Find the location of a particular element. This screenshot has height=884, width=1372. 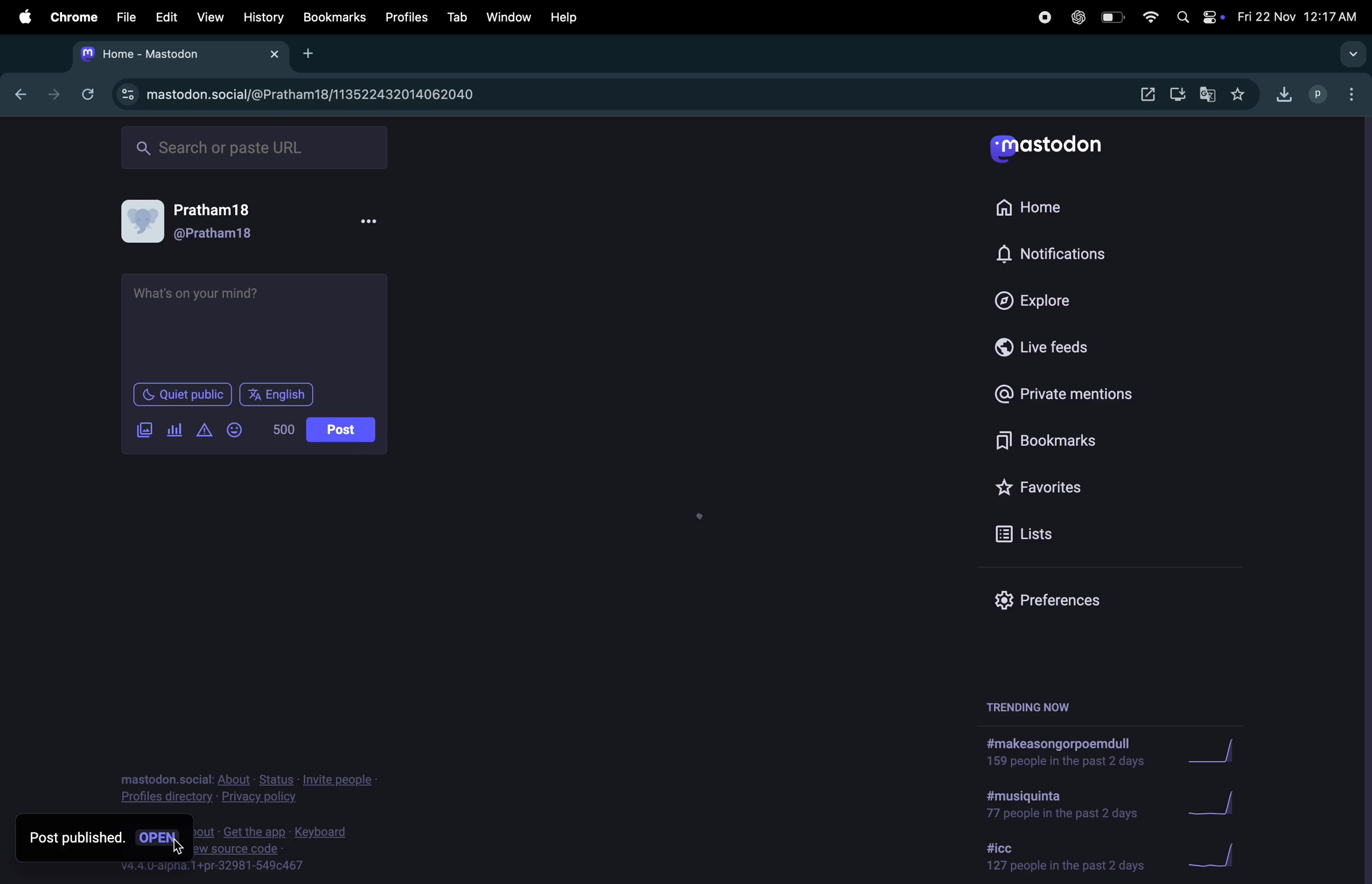

home is located at coordinates (449, 150).